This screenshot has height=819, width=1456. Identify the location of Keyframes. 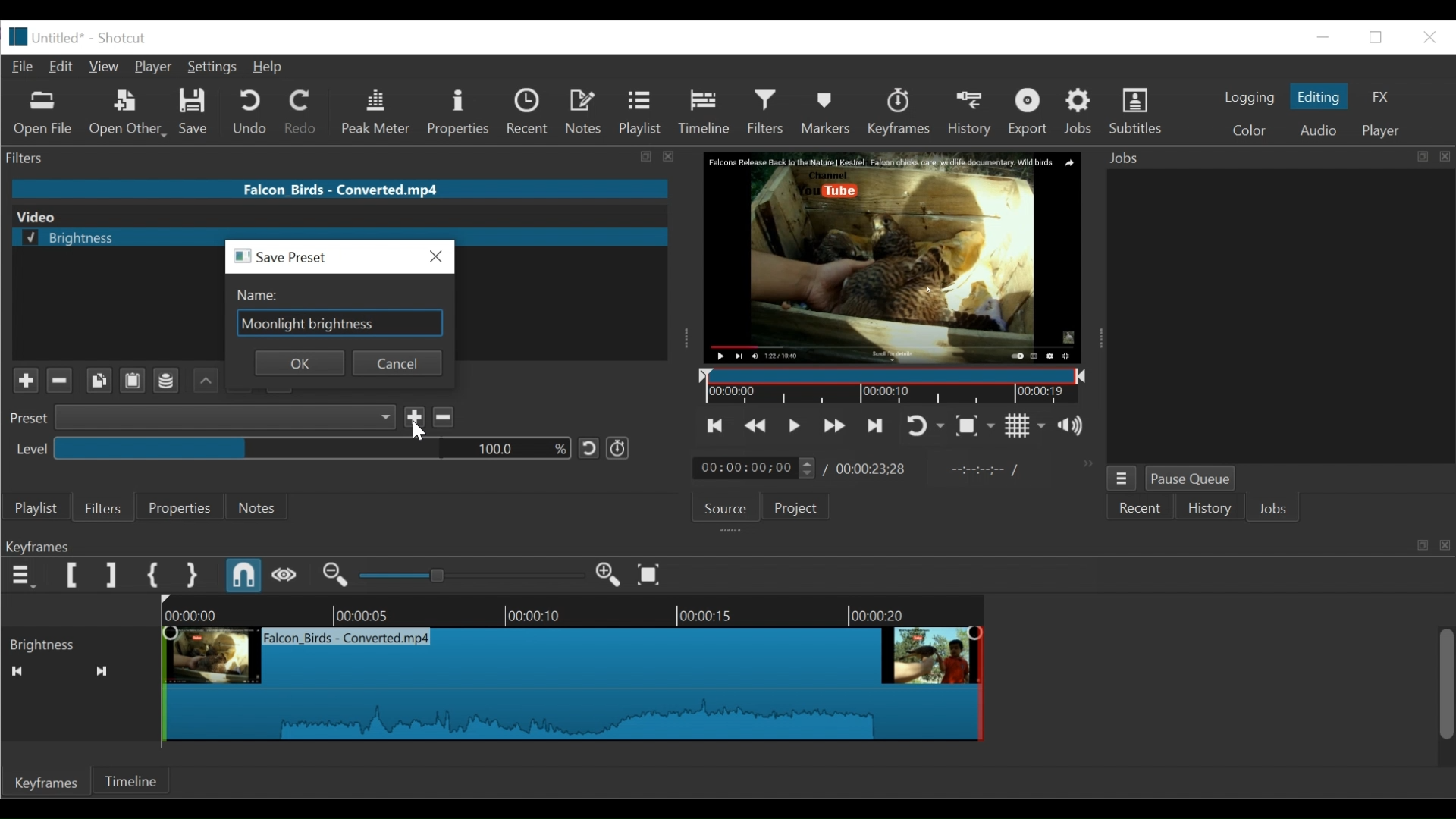
(46, 782).